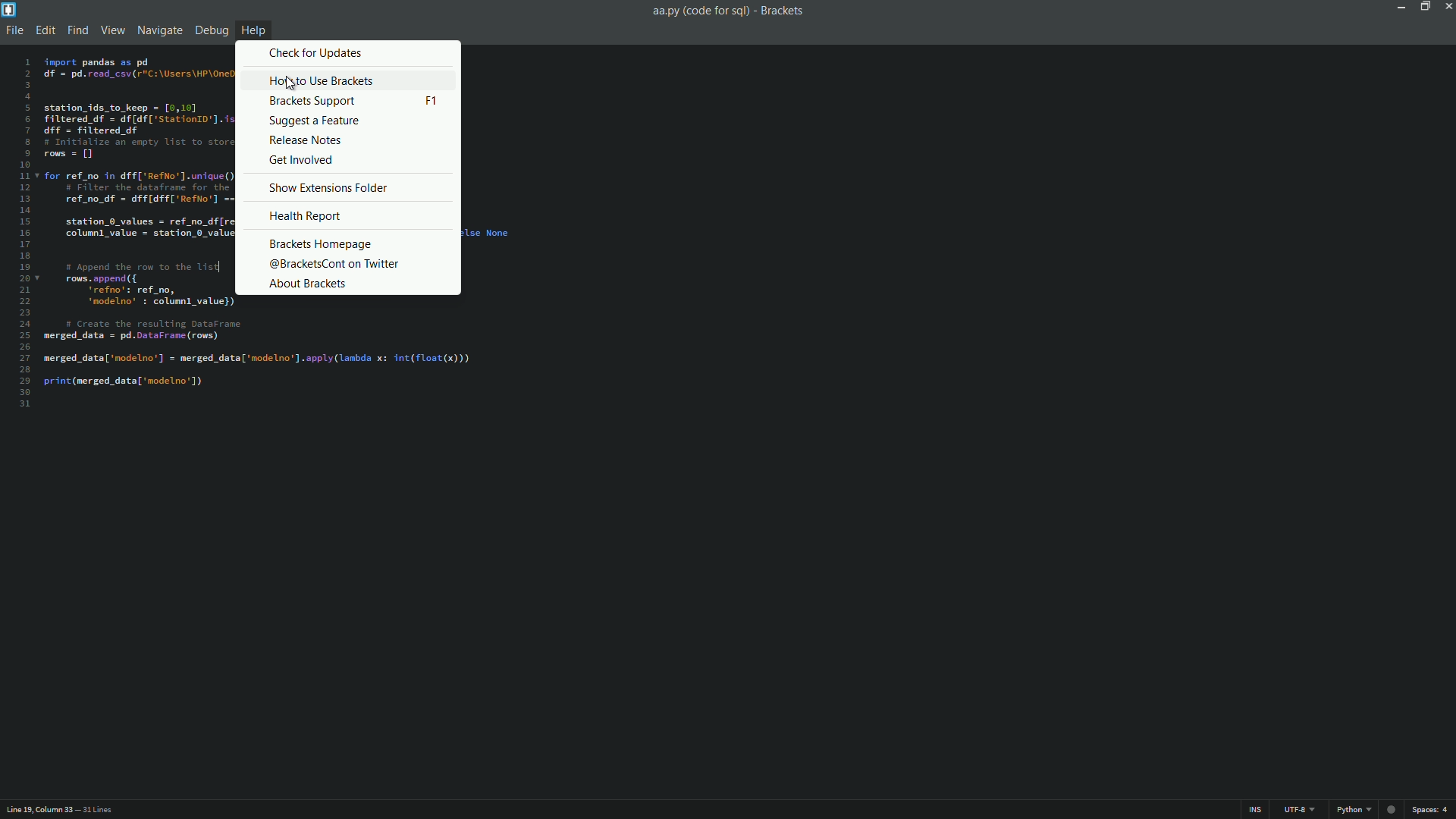 The image size is (1456, 819). What do you see at coordinates (322, 80) in the screenshot?
I see `how to use brackets` at bounding box center [322, 80].